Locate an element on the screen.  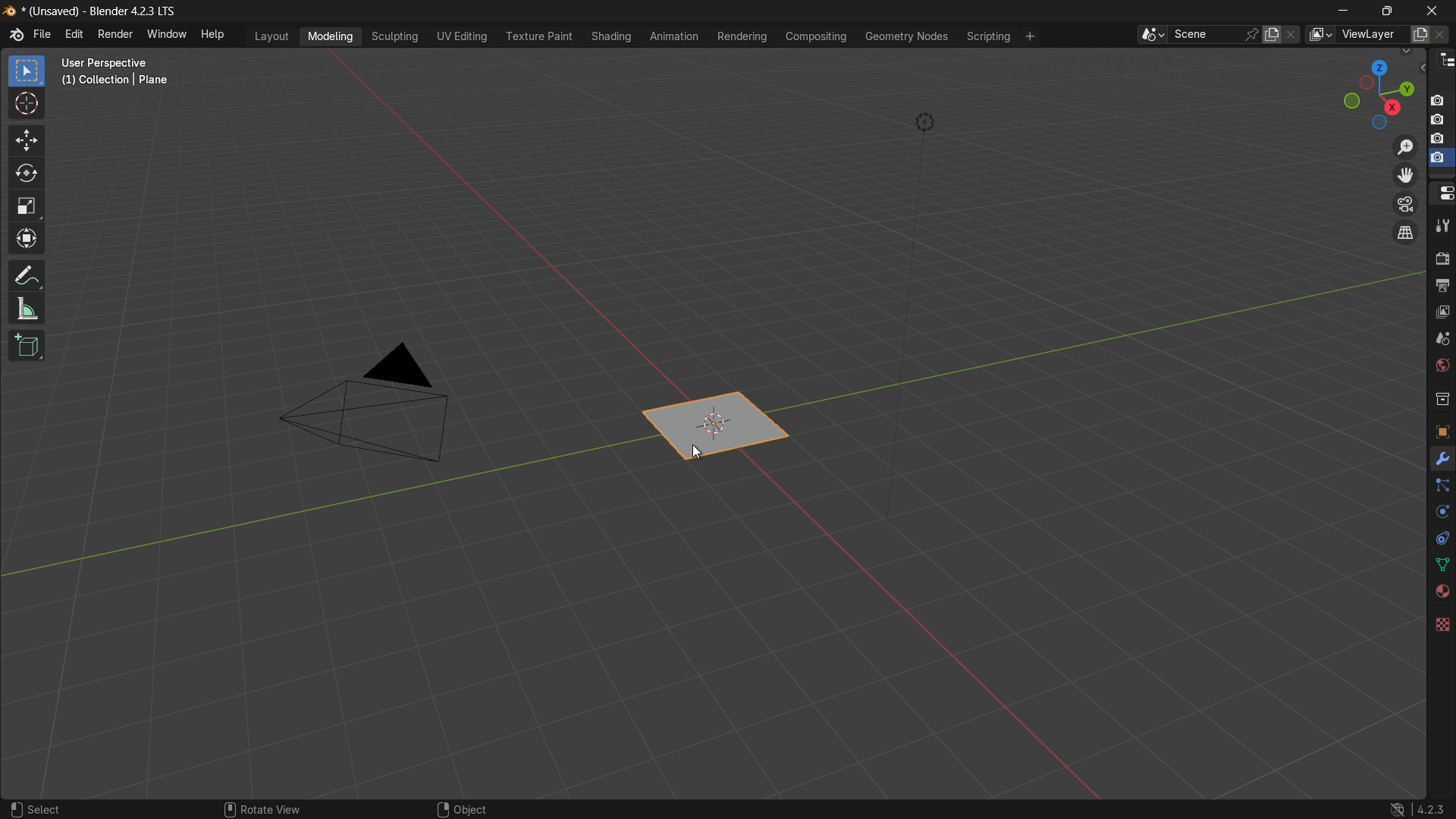
particles is located at coordinates (1442, 487).